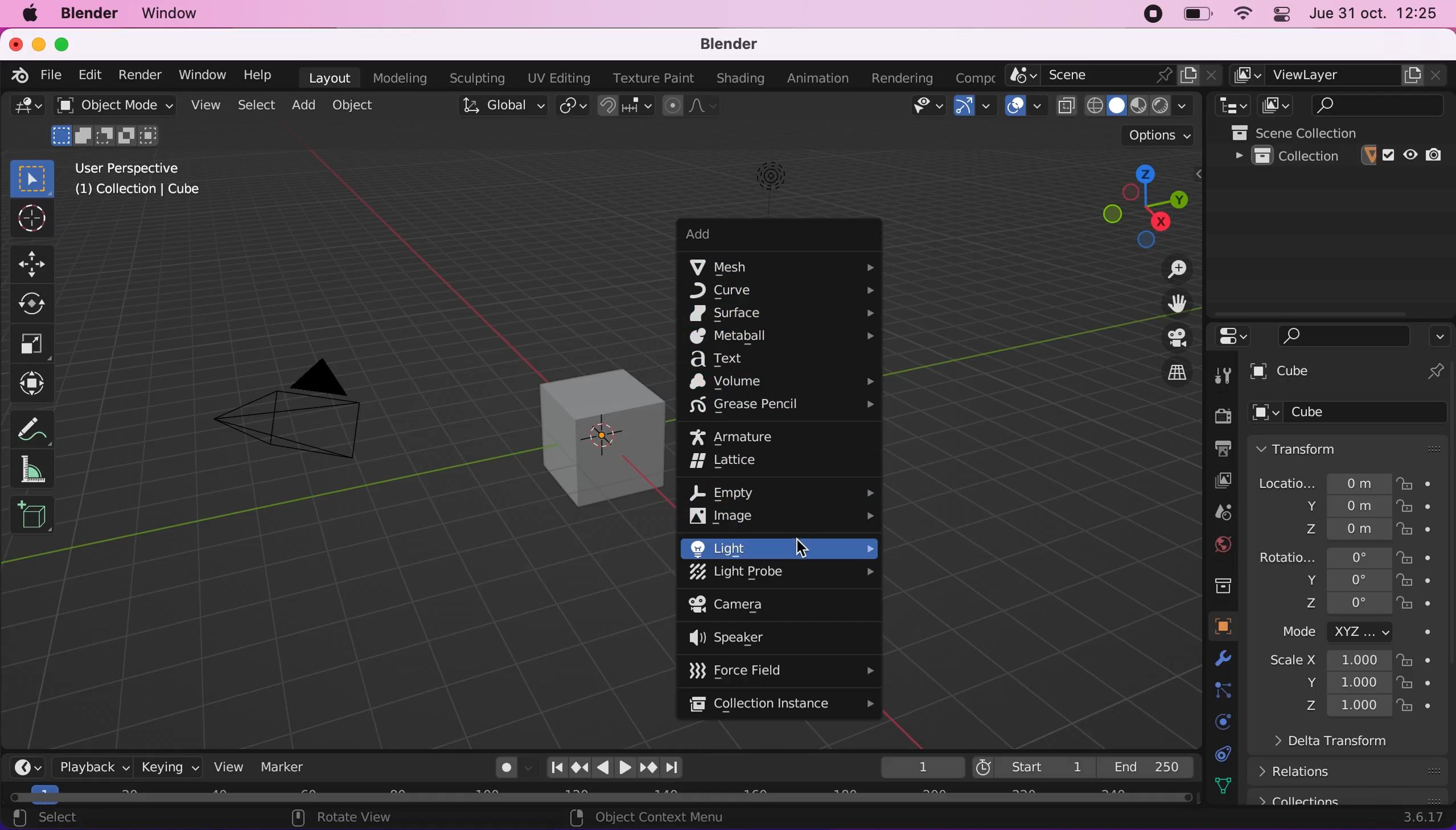 Image resolution: width=1456 pixels, height=830 pixels. What do you see at coordinates (1218, 415) in the screenshot?
I see `render` at bounding box center [1218, 415].